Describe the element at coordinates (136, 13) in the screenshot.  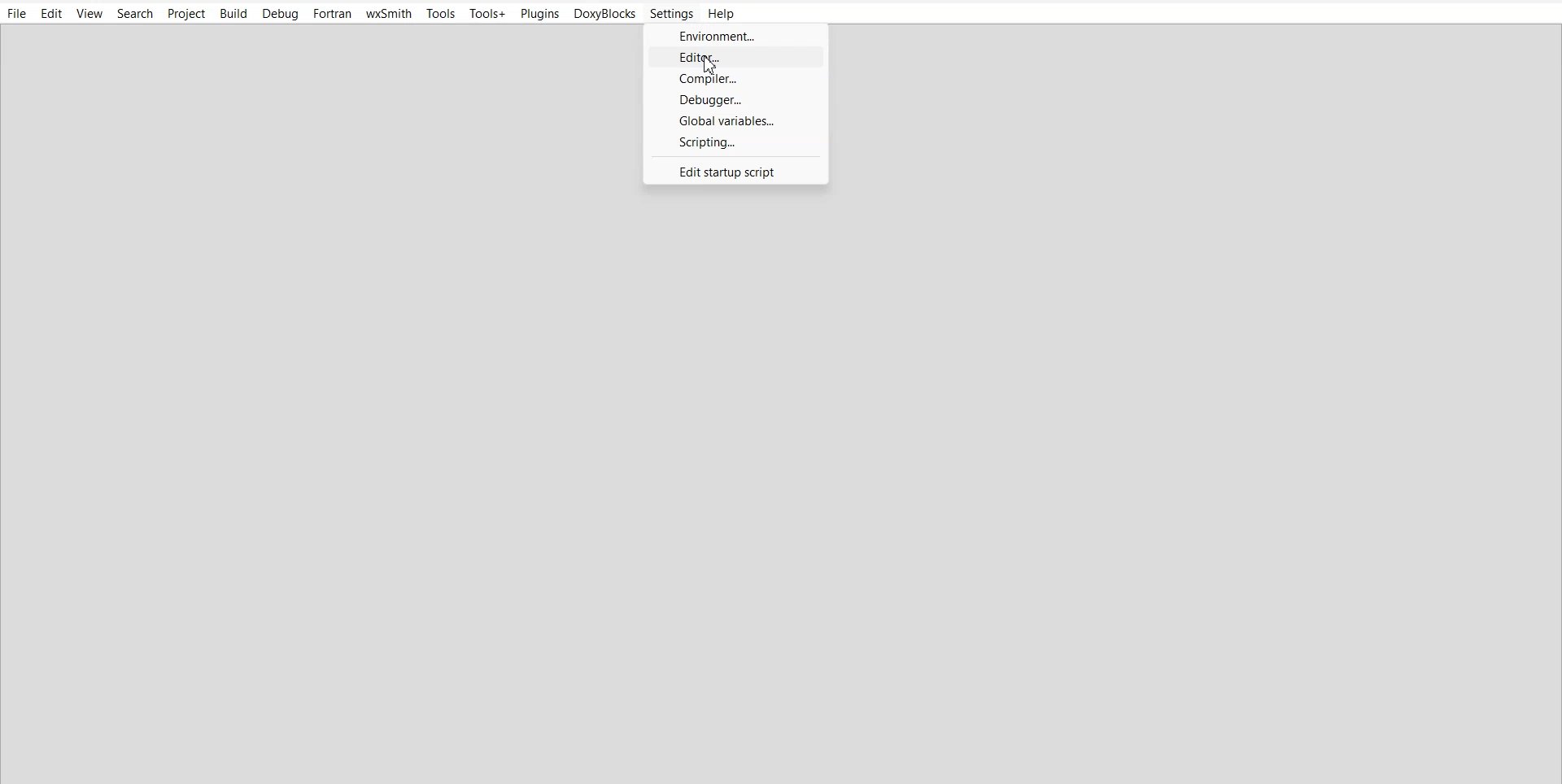
I see `Search` at that location.